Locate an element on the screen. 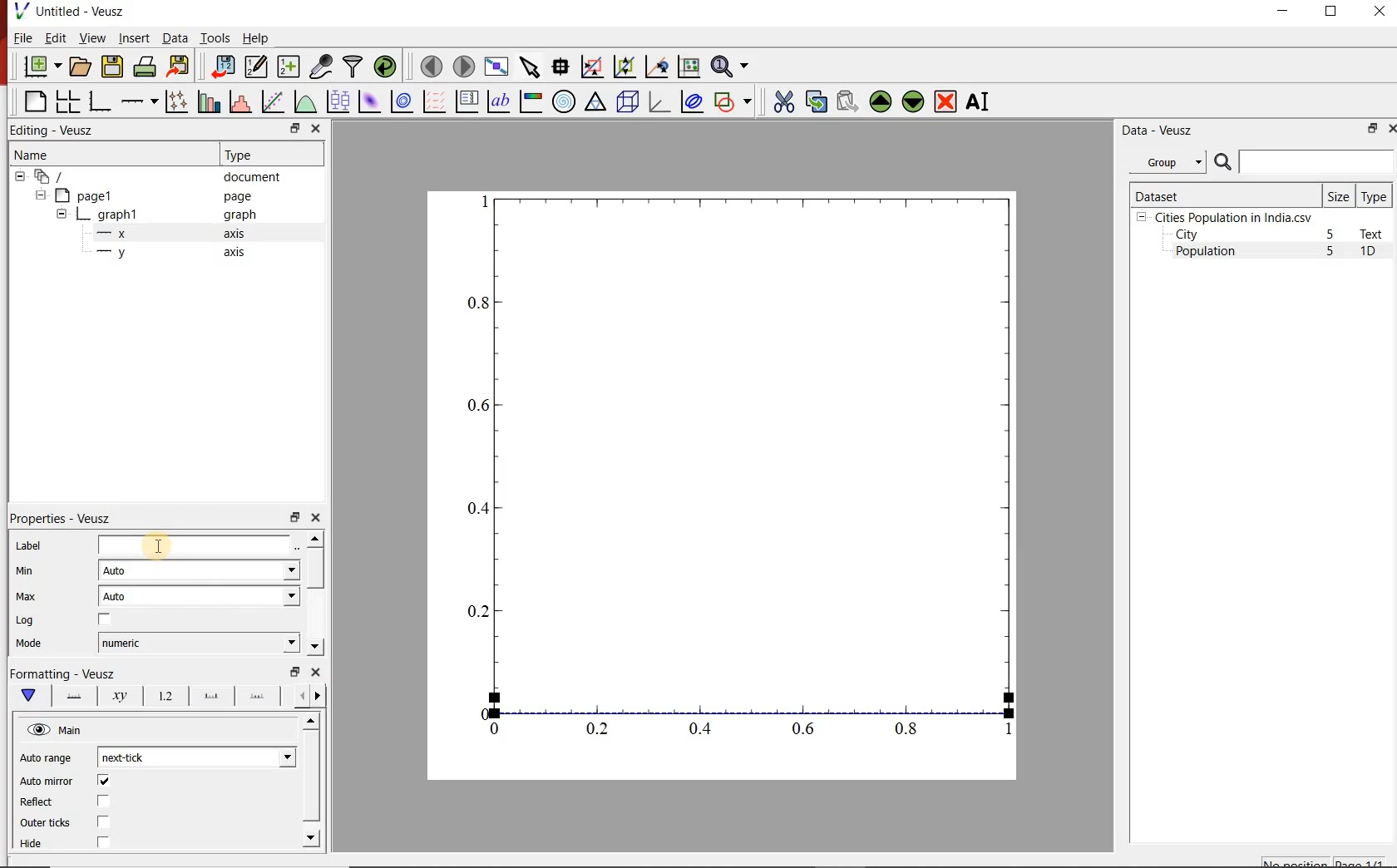 The image size is (1397, 868). copy the selected widget is located at coordinates (815, 100).